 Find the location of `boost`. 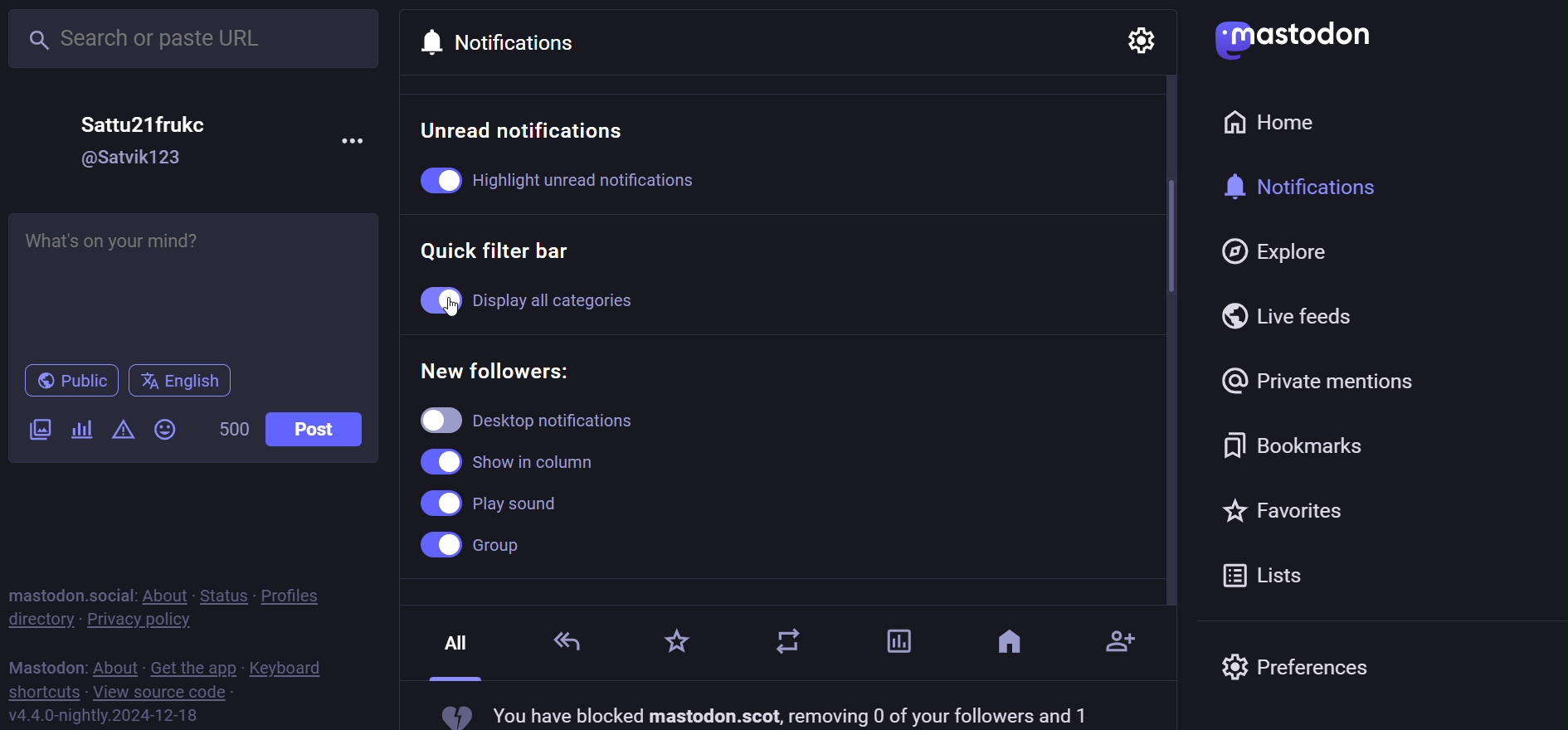

boost is located at coordinates (793, 646).